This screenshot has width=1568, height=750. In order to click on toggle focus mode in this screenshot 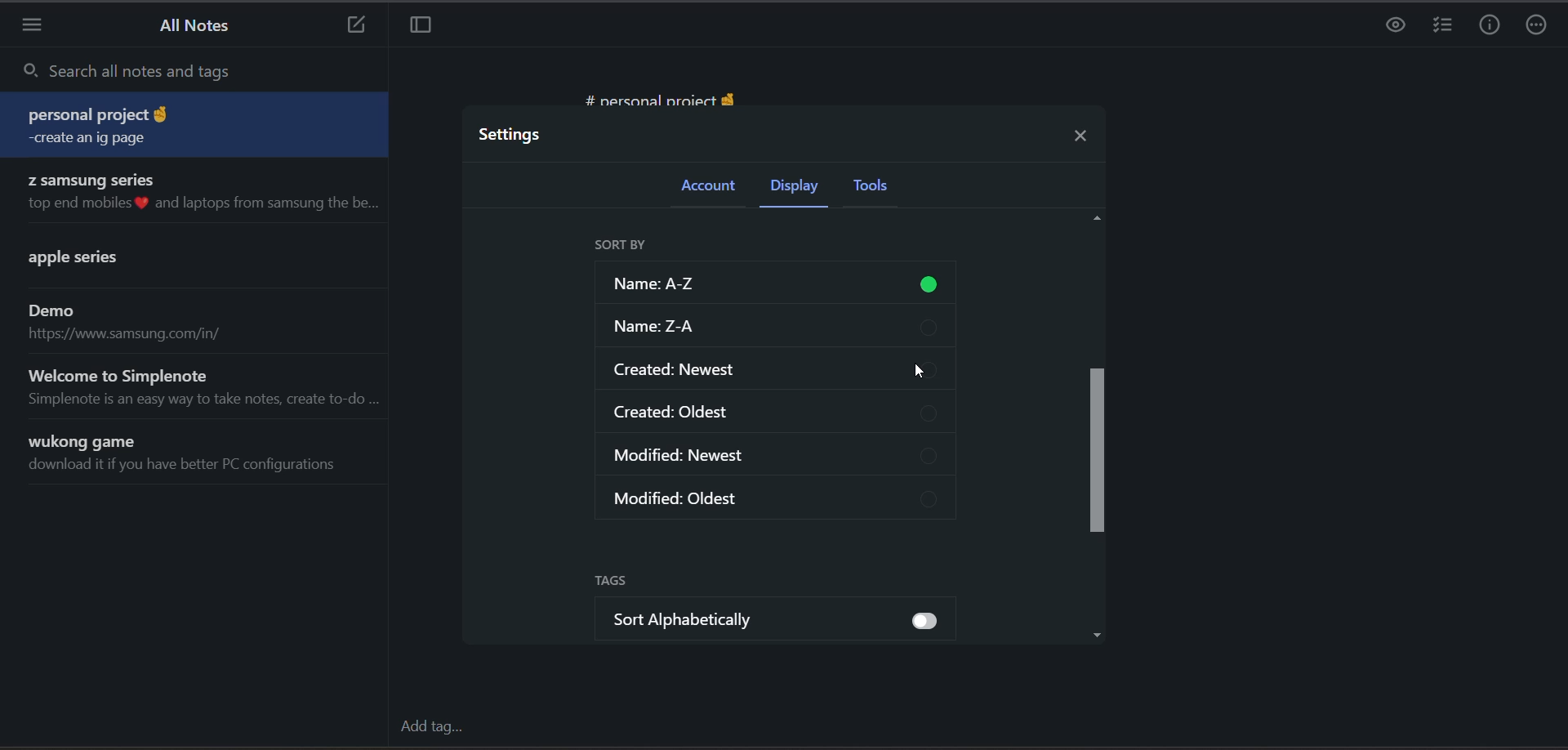, I will do `click(421, 25)`.